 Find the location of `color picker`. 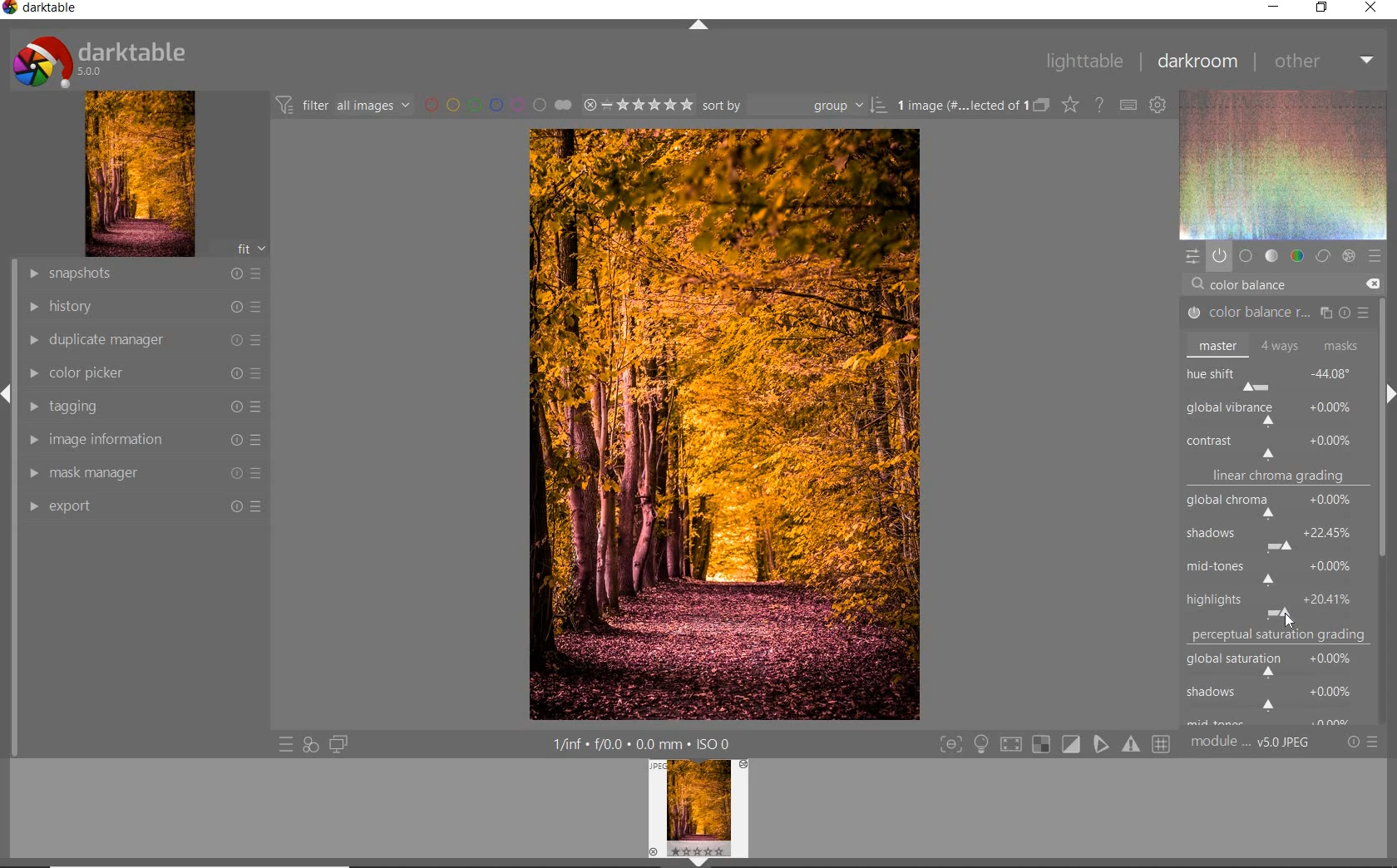

color picker is located at coordinates (144, 374).